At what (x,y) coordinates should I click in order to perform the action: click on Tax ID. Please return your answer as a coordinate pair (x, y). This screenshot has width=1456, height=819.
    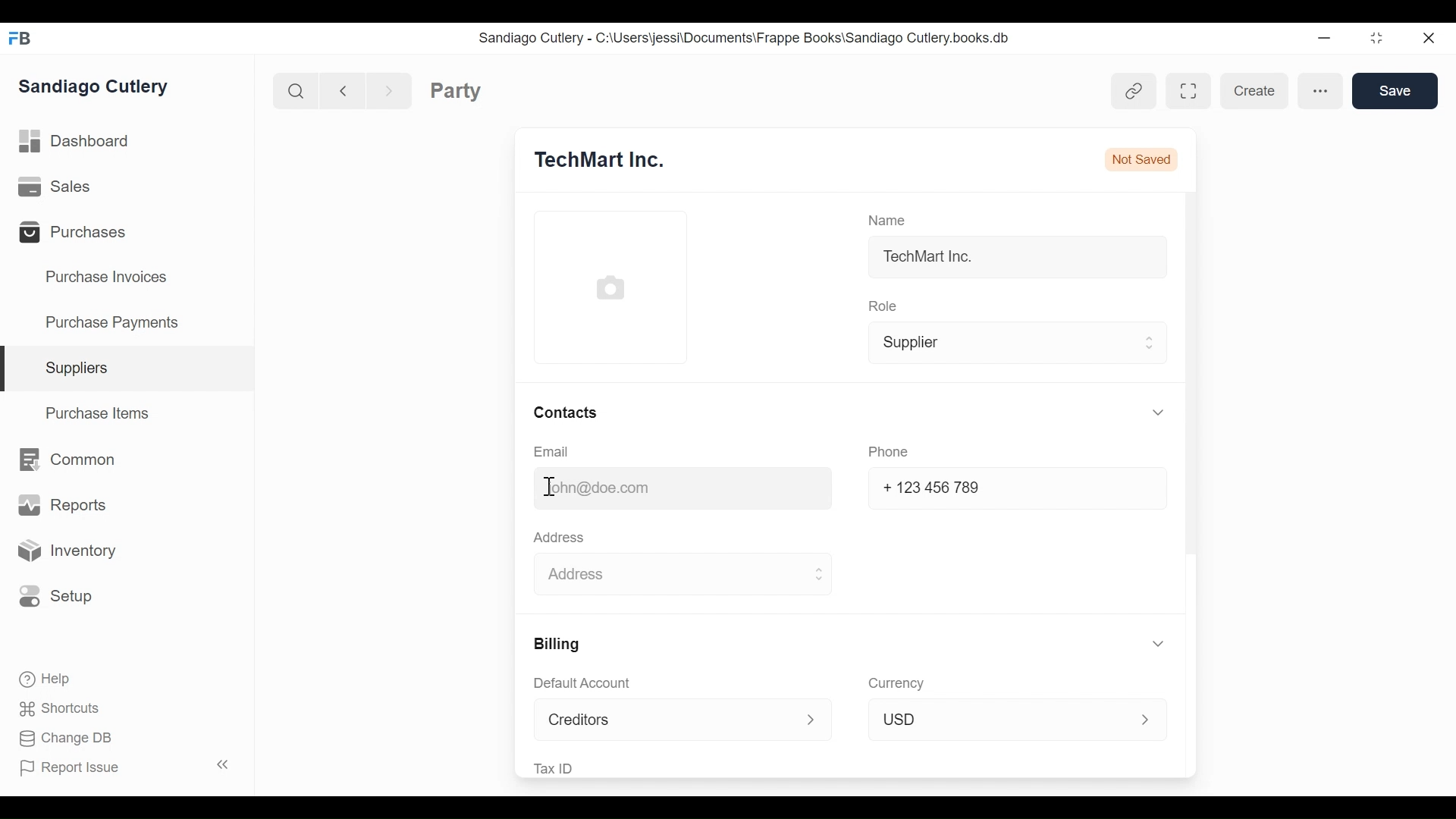
    Looking at the image, I should click on (558, 767).